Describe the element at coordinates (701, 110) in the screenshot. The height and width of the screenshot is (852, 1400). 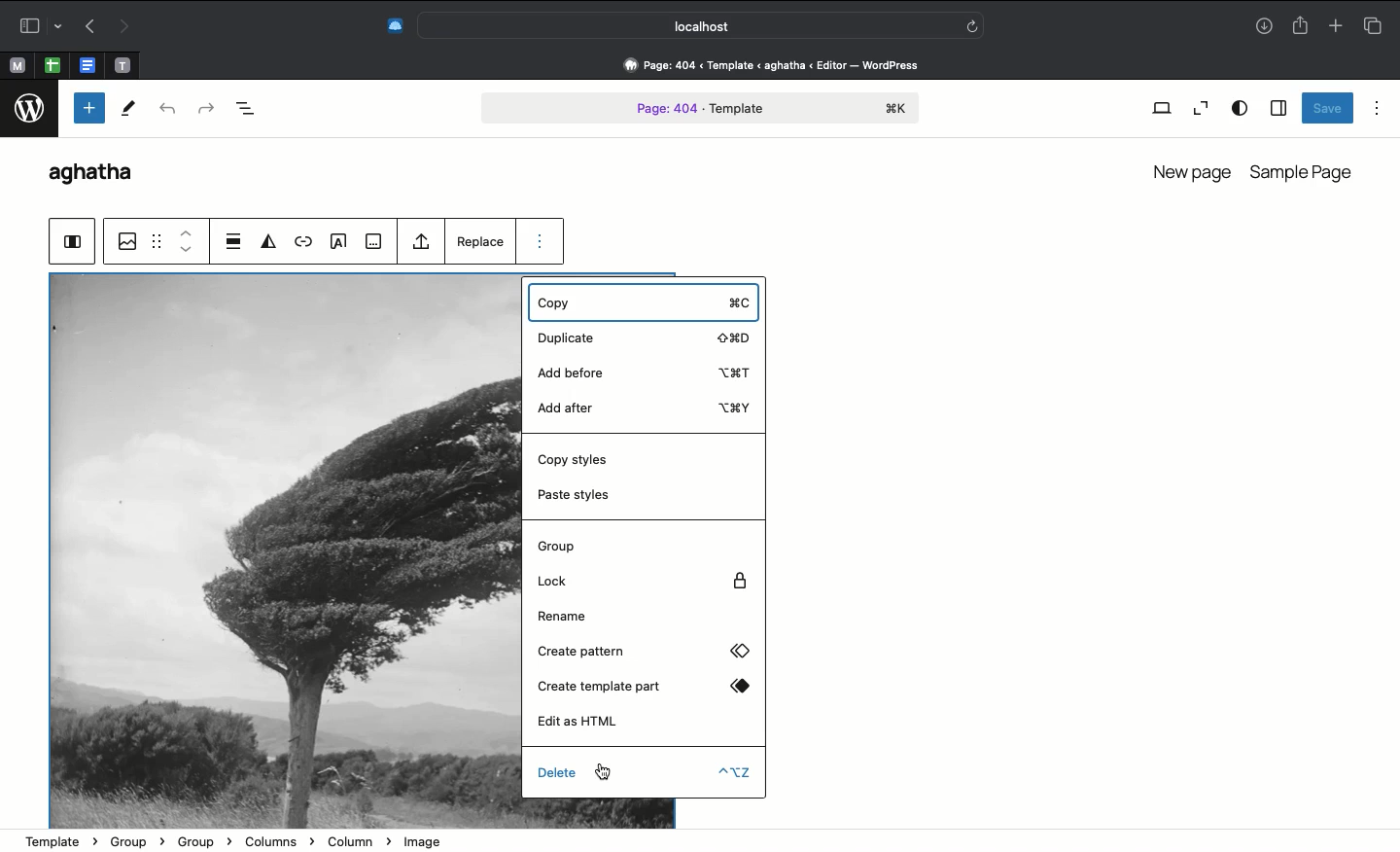
I see `Page 404` at that location.